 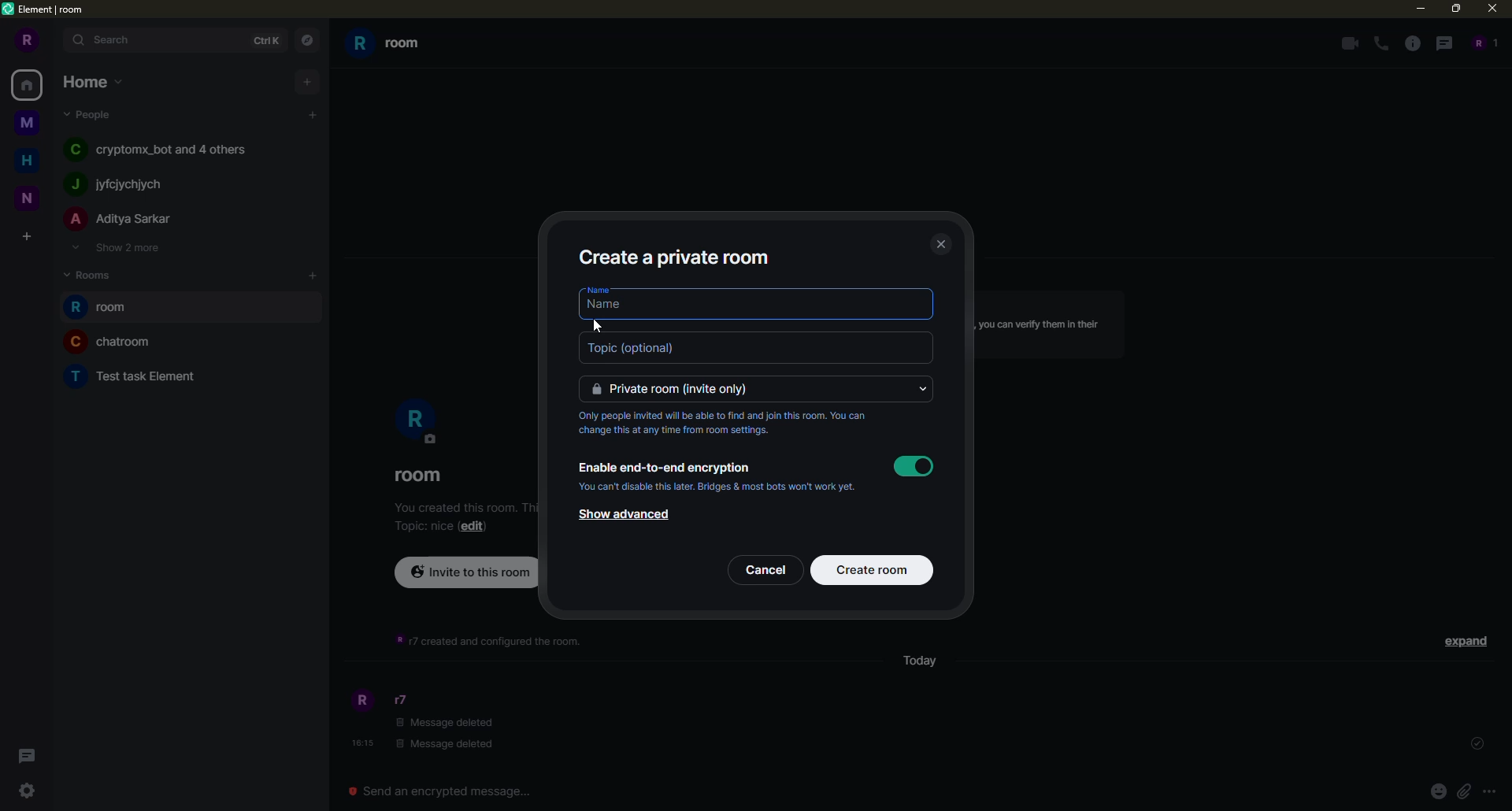 What do you see at coordinates (1050, 331) in the screenshot?
I see `info` at bounding box center [1050, 331].